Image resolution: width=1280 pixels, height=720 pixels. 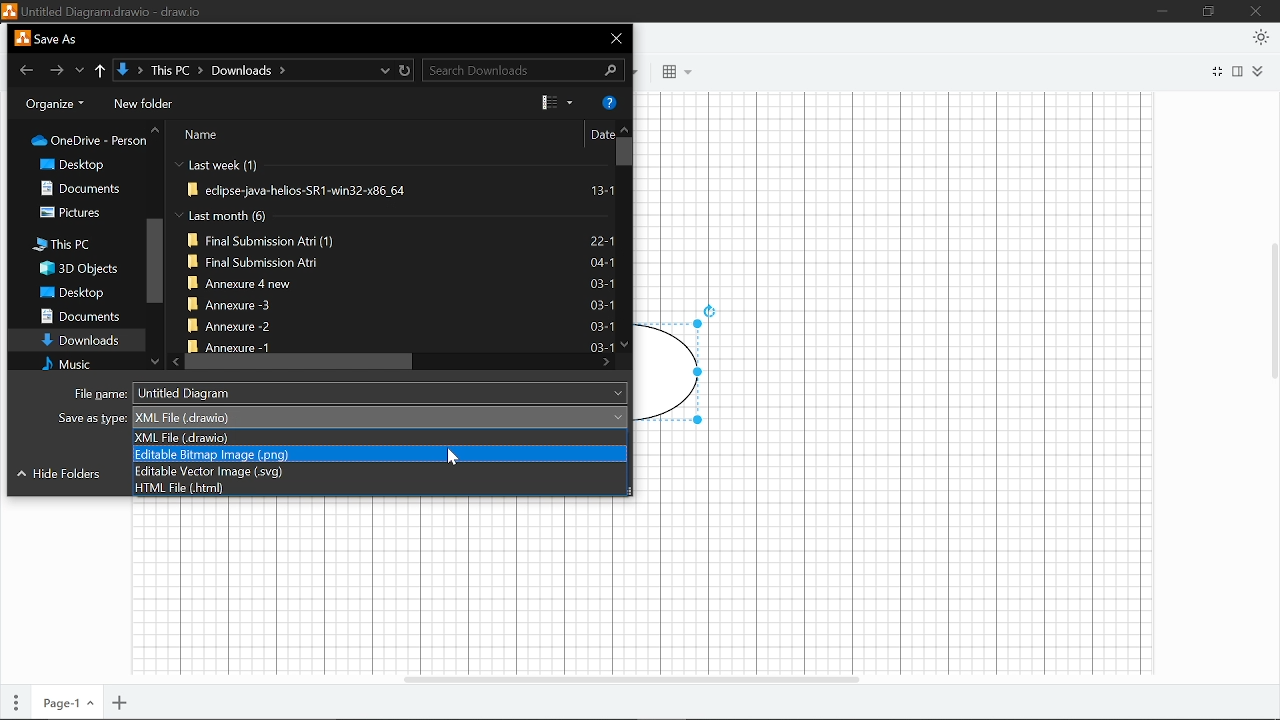 I want to click on move left, so click(x=176, y=361).